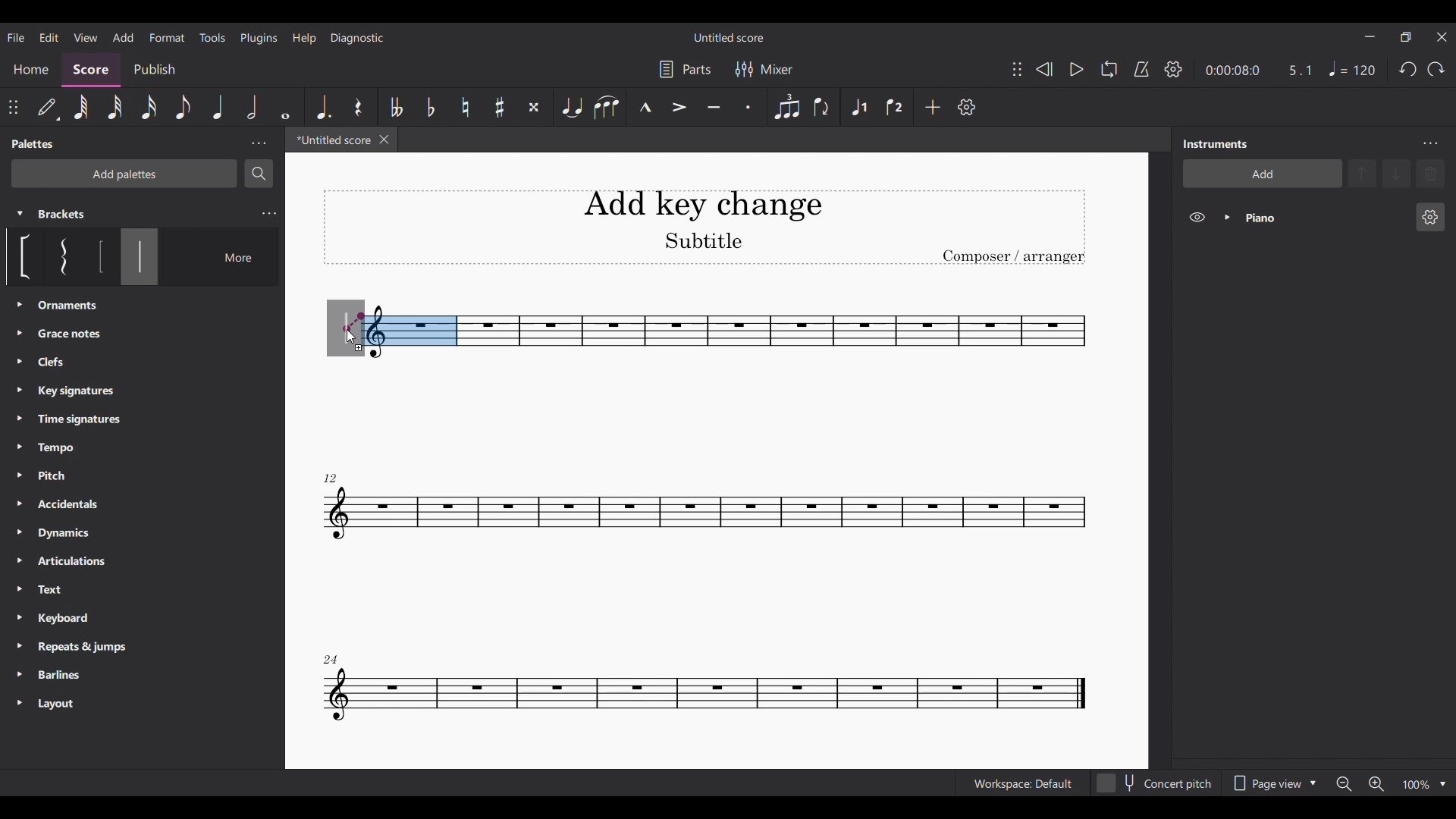 This screenshot has height=819, width=1456. What do you see at coordinates (259, 174) in the screenshot?
I see `Search` at bounding box center [259, 174].